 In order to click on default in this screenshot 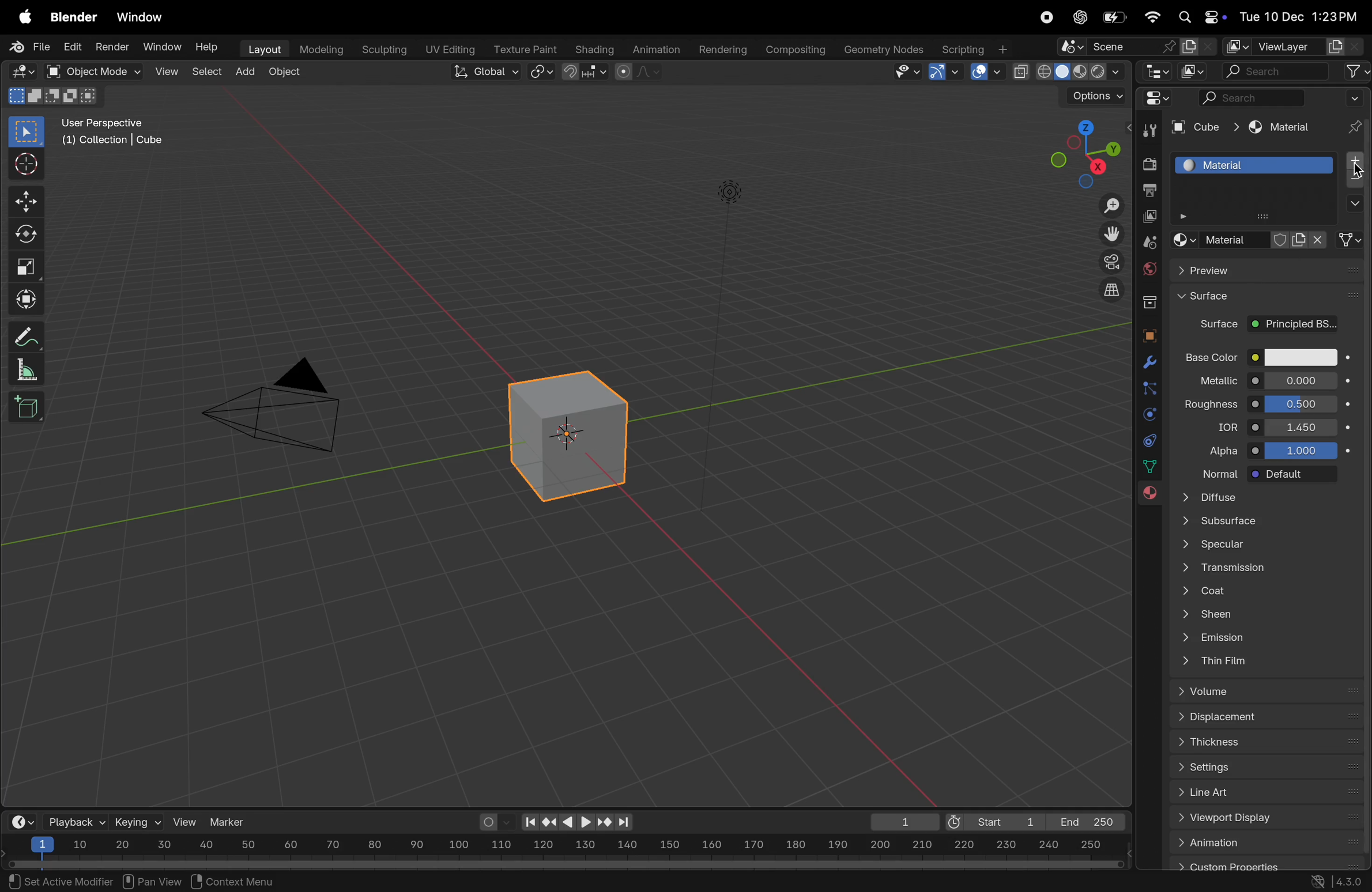, I will do `click(1301, 473)`.